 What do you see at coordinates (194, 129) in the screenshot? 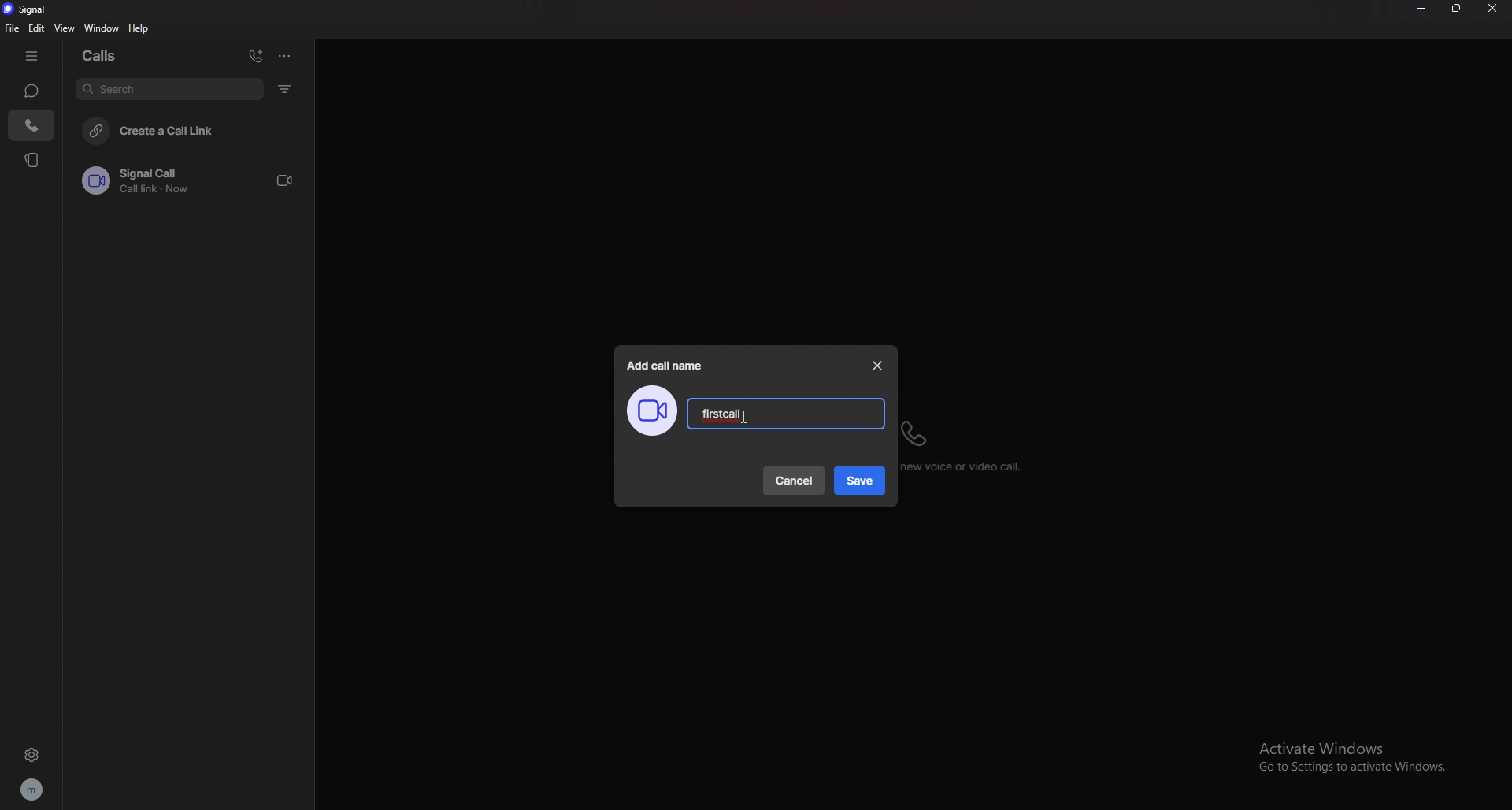
I see `create a call link` at bounding box center [194, 129].